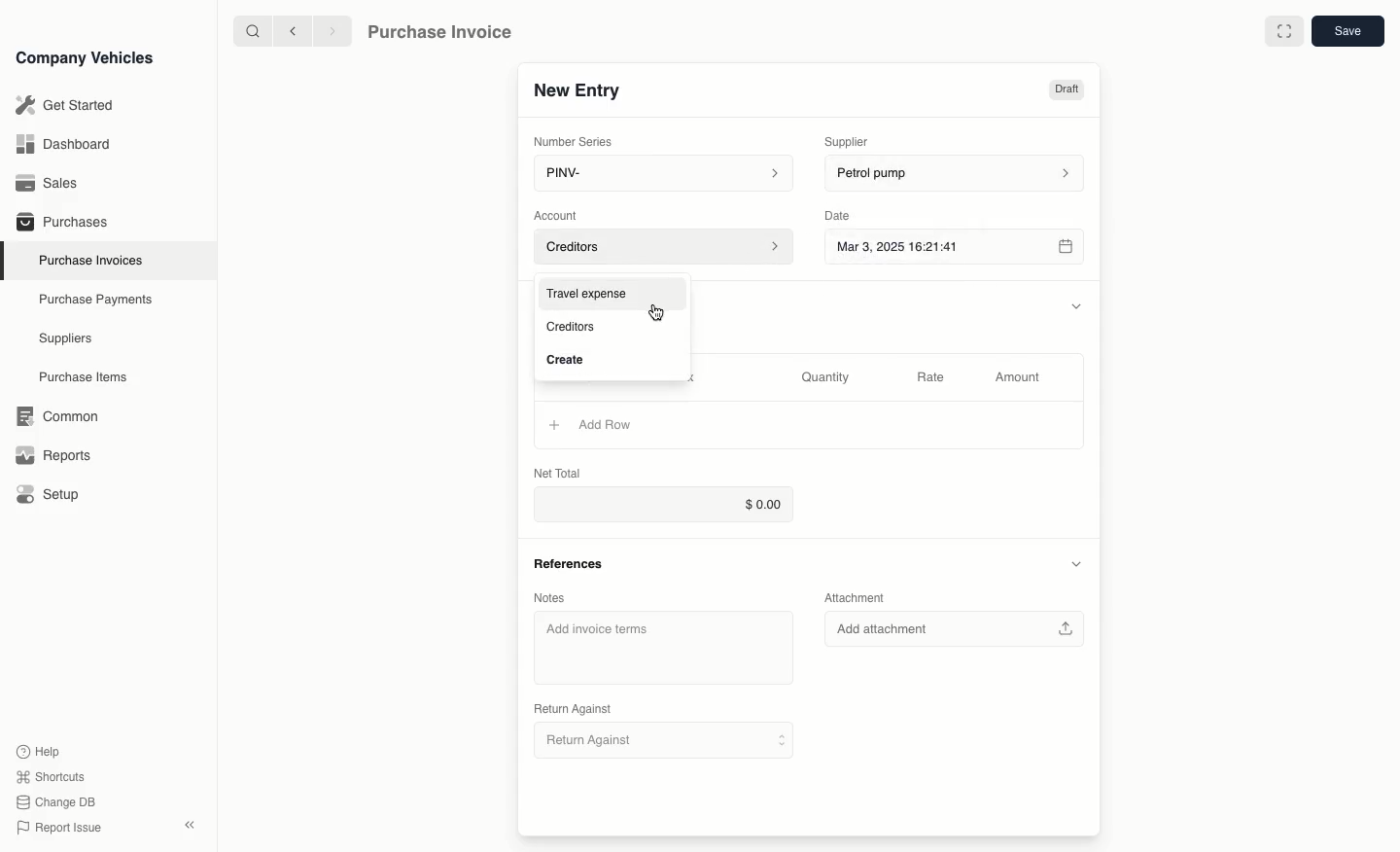  What do you see at coordinates (1077, 304) in the screenshot?
I see `collapse` at bounding box center [1077, 304].